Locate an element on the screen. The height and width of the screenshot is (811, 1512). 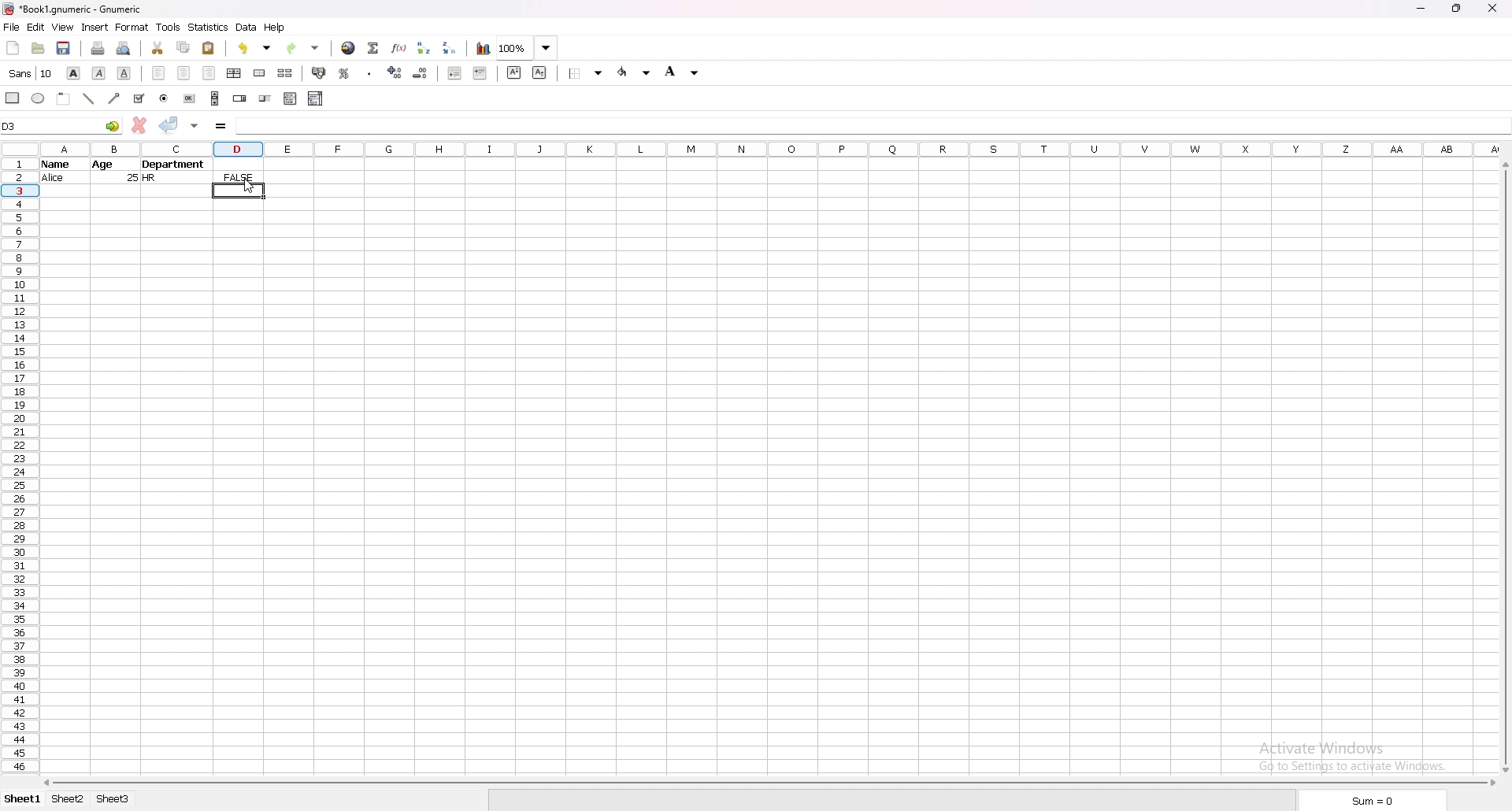
centre horizontally is located at coordinates (235, 73).